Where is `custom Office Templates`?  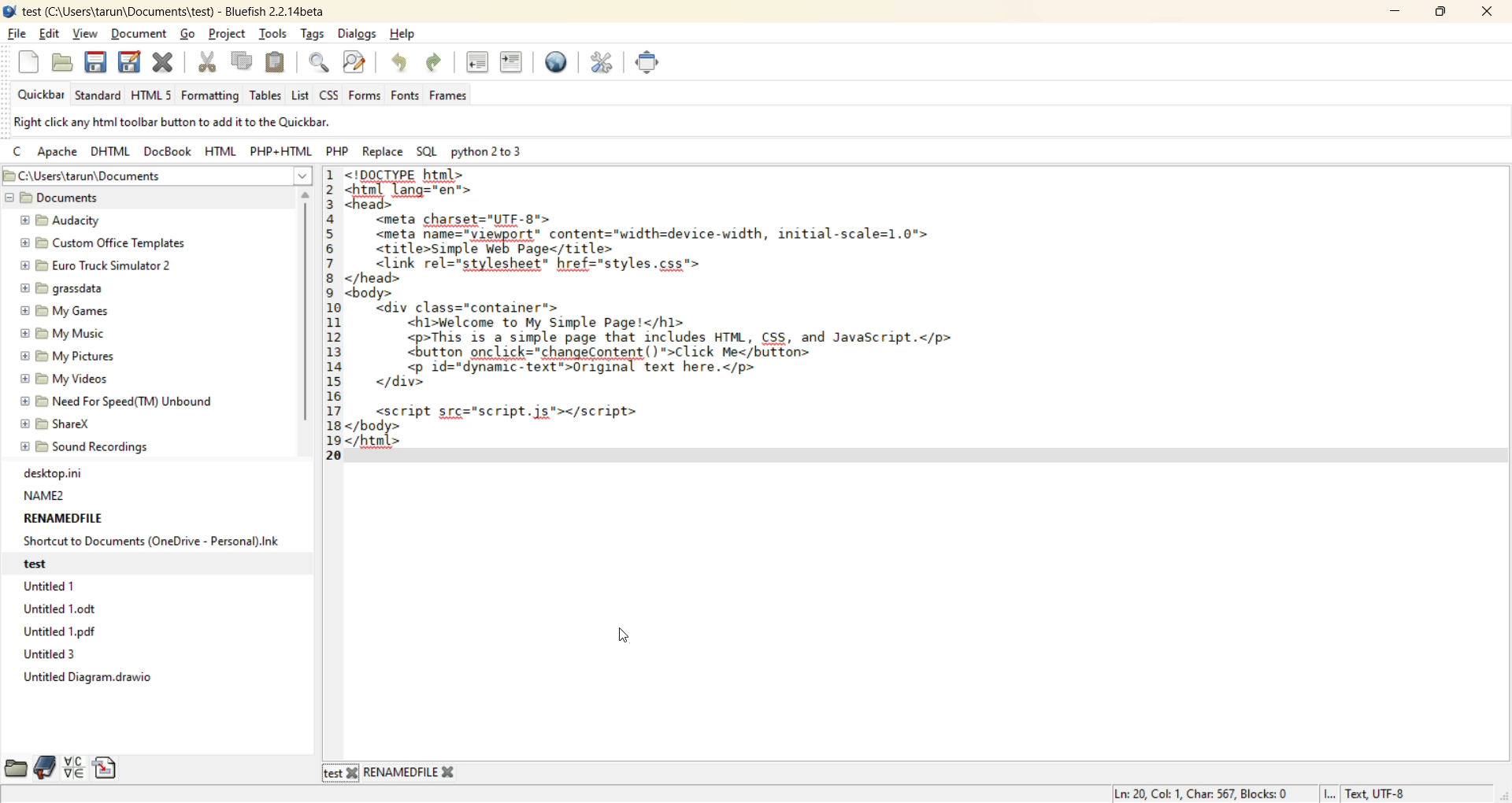
custom Office Templates is located at coordinates (105, 243).